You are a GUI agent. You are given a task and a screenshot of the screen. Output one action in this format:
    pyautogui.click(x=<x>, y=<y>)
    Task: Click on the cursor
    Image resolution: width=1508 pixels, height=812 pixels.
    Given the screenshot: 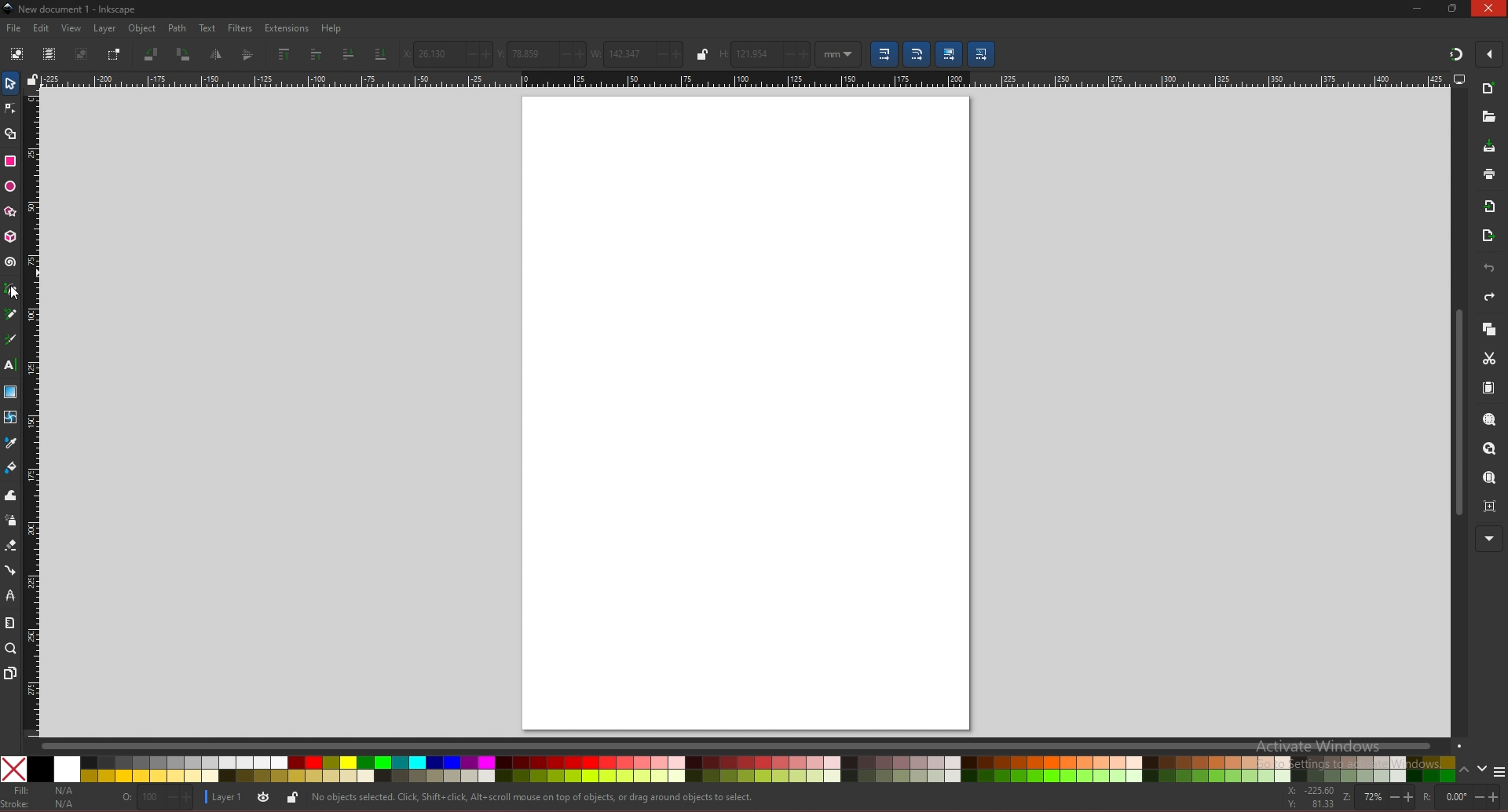 What is the action you would take?
    pyautogui.click(x=16, y=294)
    